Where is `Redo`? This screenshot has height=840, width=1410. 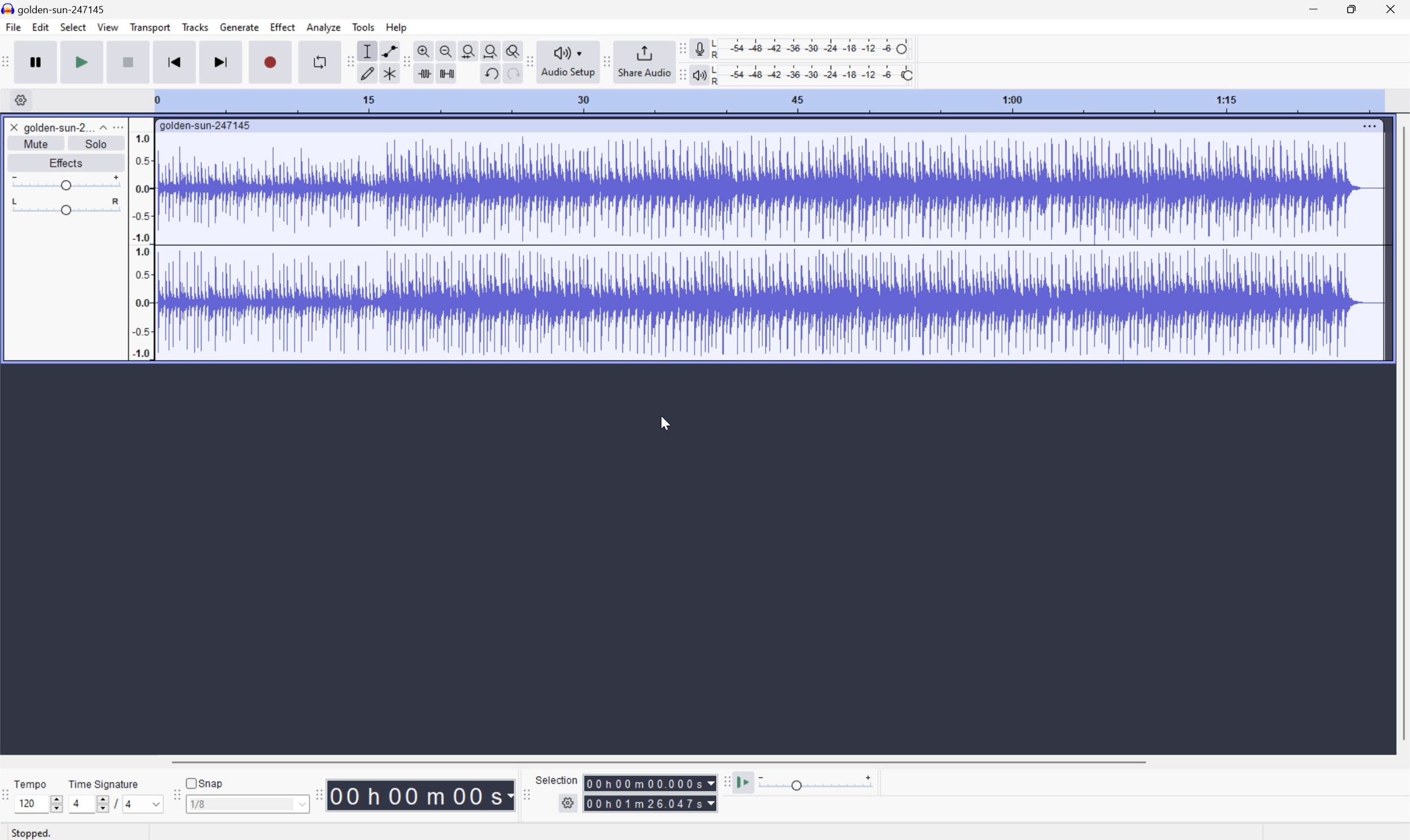 Redo is located at coordinates (512, 75).